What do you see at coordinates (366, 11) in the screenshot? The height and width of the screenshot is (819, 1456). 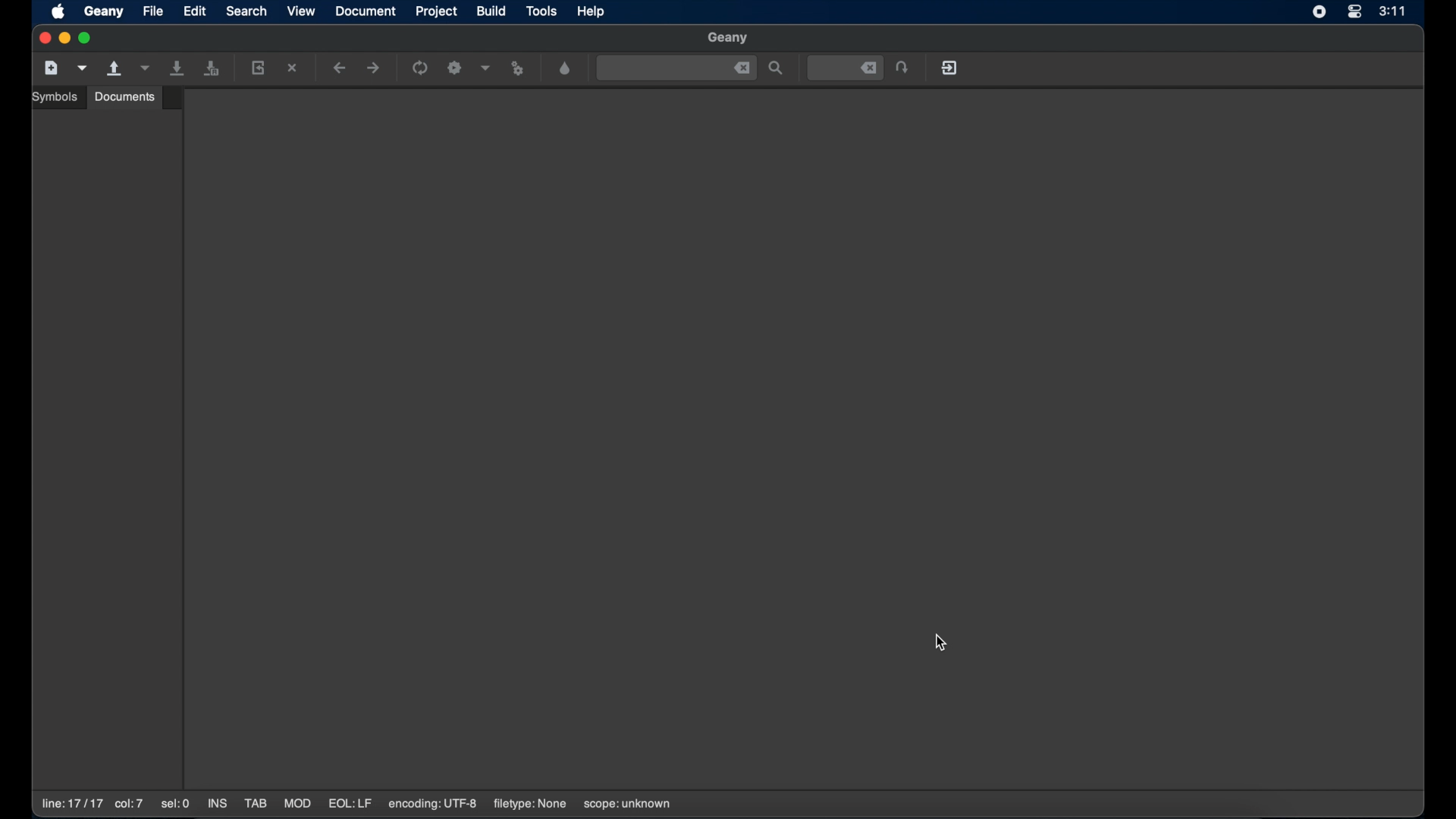 I see `document` at bounding box center [366, 11].